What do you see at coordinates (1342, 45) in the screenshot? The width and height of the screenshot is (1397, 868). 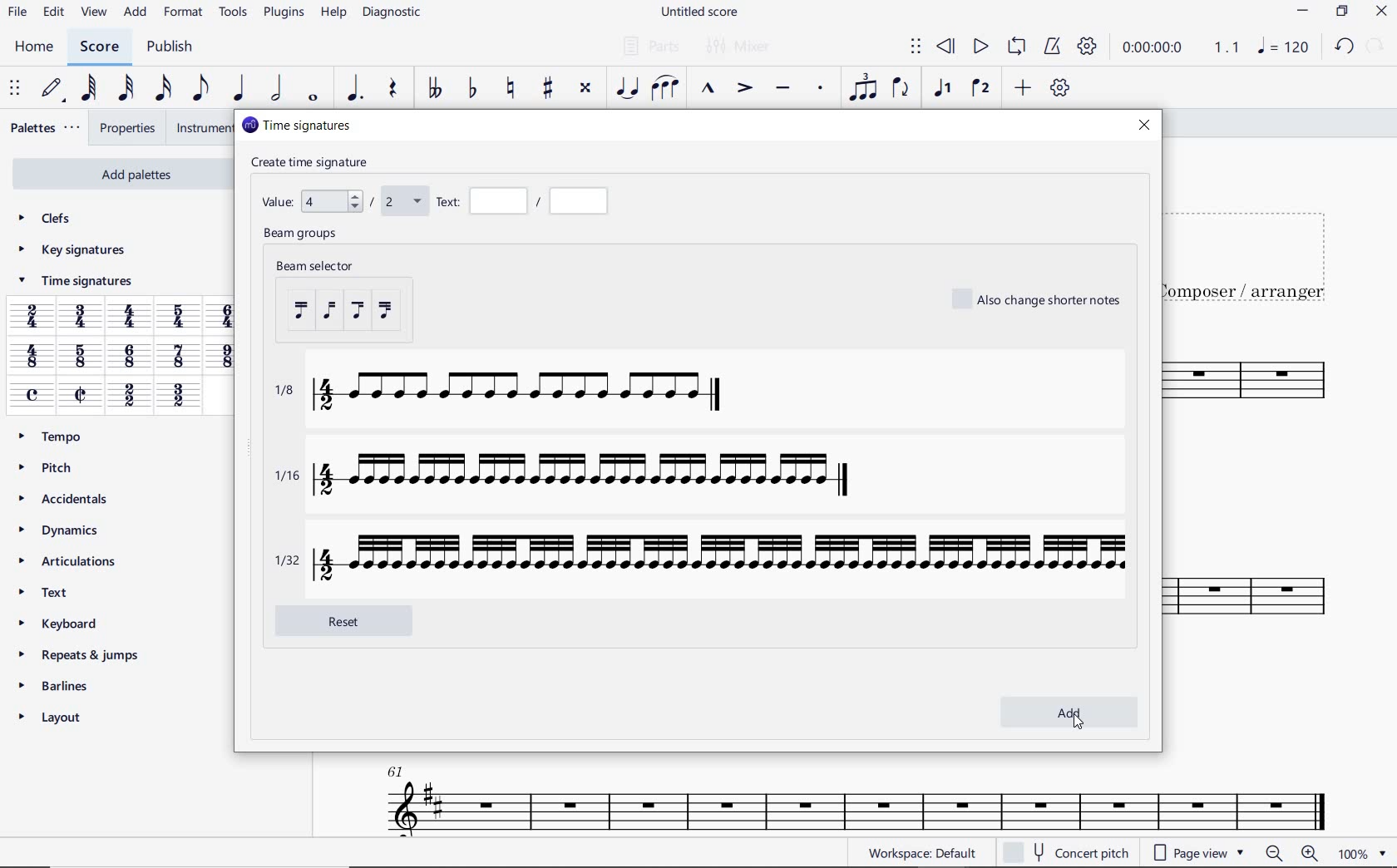 I see `UNDO` at bounding box center [1342, 45].